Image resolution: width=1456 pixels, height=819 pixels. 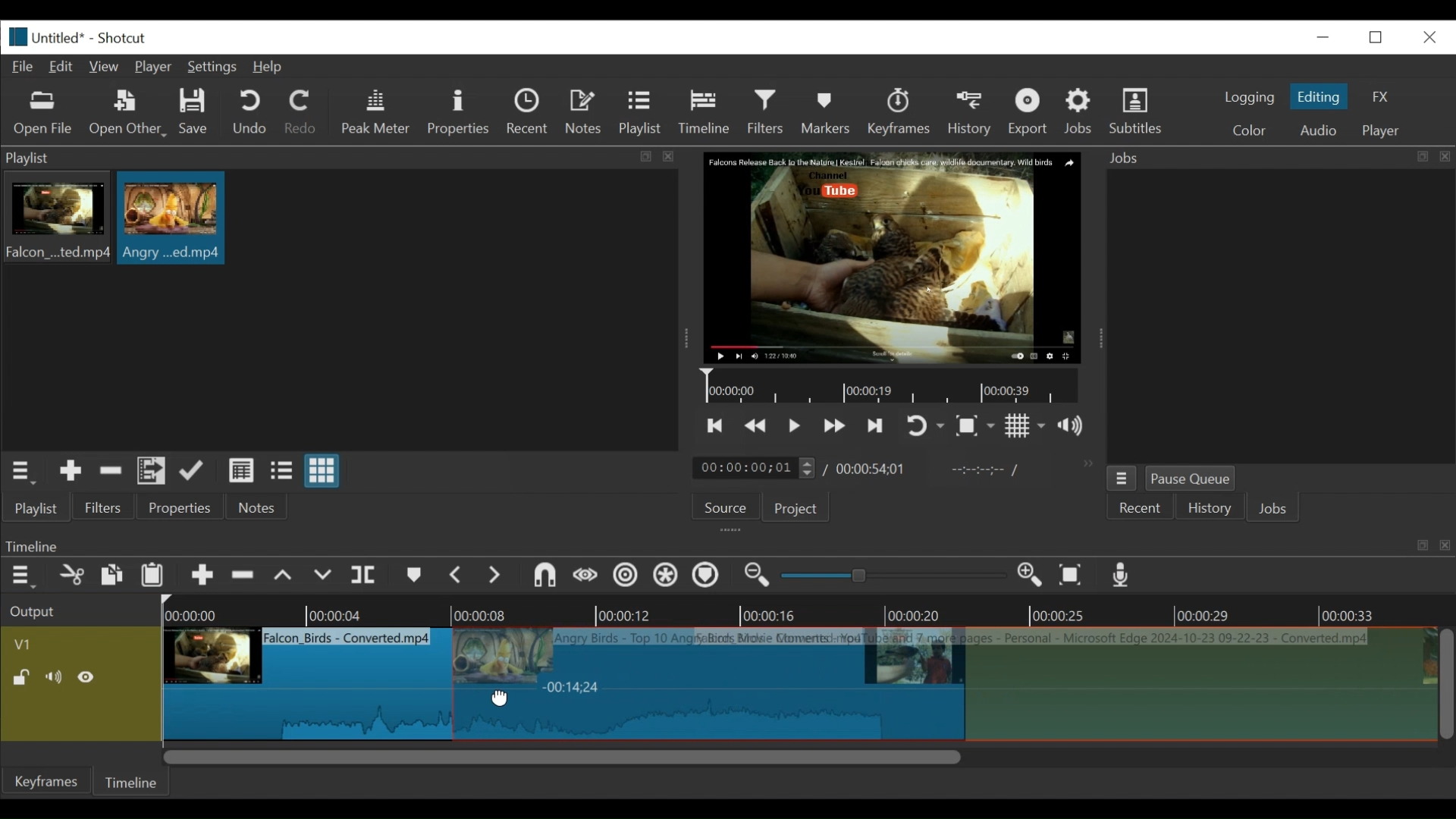 What do you see at coordinates (1025, 425) in the screenshot?
I see `Toggle display grid on player` at bounding box center [1025, 425].